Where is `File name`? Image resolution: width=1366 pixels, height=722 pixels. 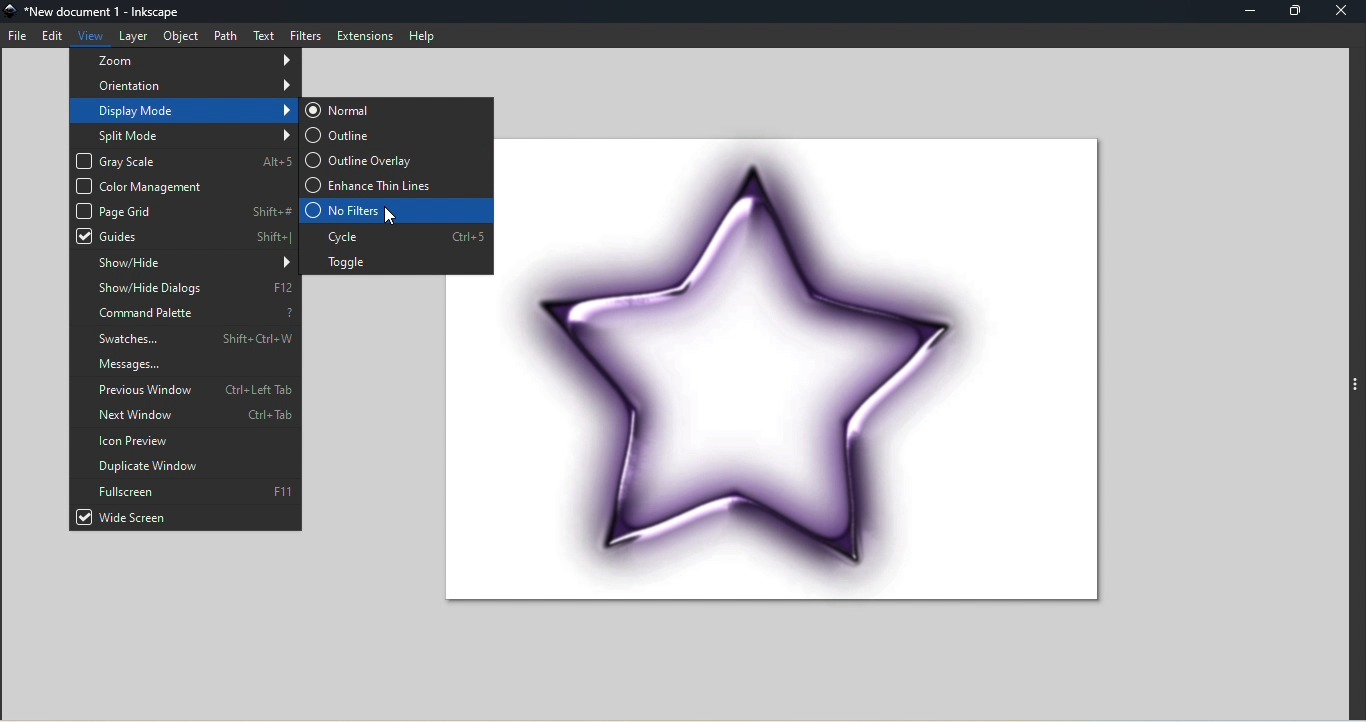
File name is located at coordinates (111, 12).